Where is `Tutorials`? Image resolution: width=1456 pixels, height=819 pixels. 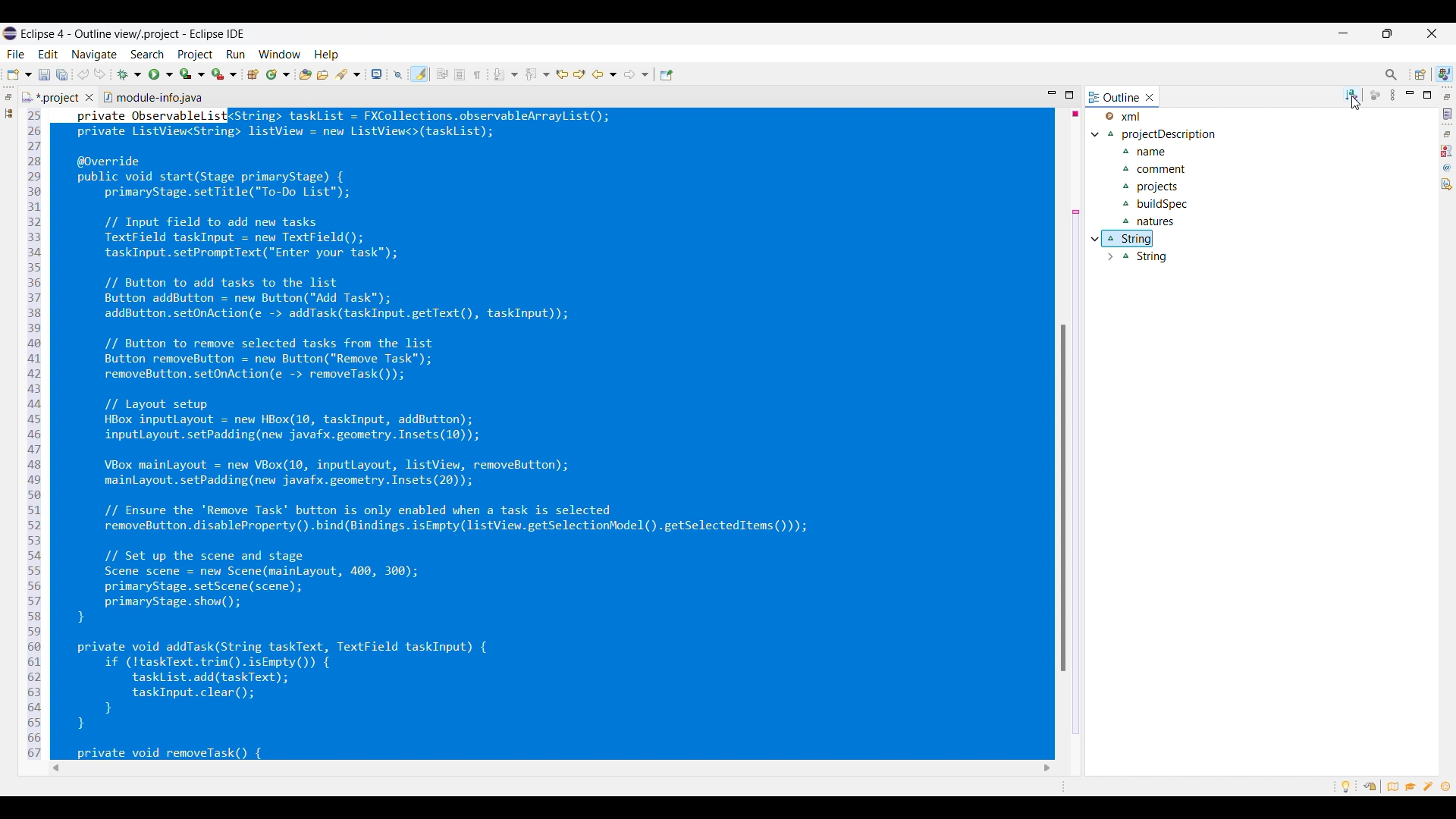 Tutorials is located at coordinates (1410, 786).